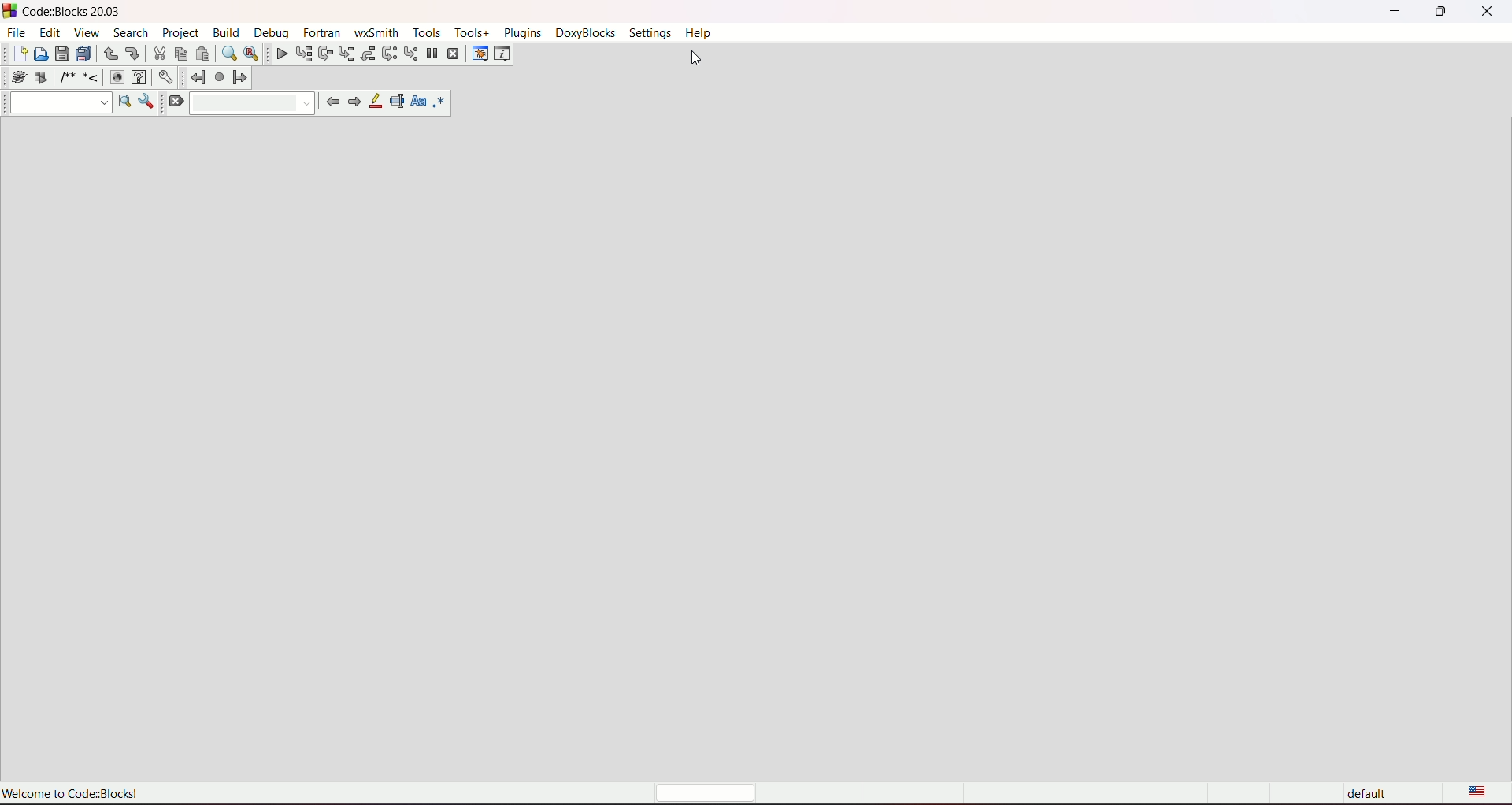 The image size is (1512, 805). Describe the element at coordinates (411, 53) in the screenshot. I see `step into instruction` at that location.